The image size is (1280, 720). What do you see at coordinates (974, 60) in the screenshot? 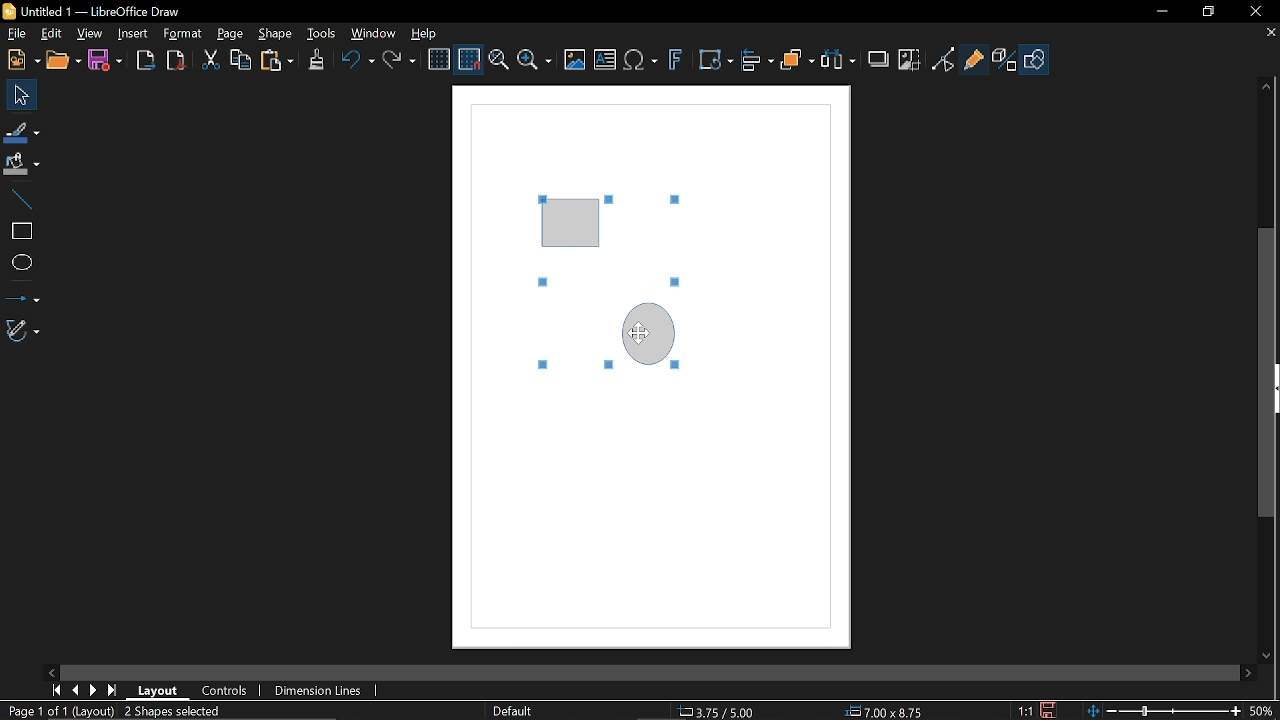
I see `Glue` at bounding box center [974, 60].